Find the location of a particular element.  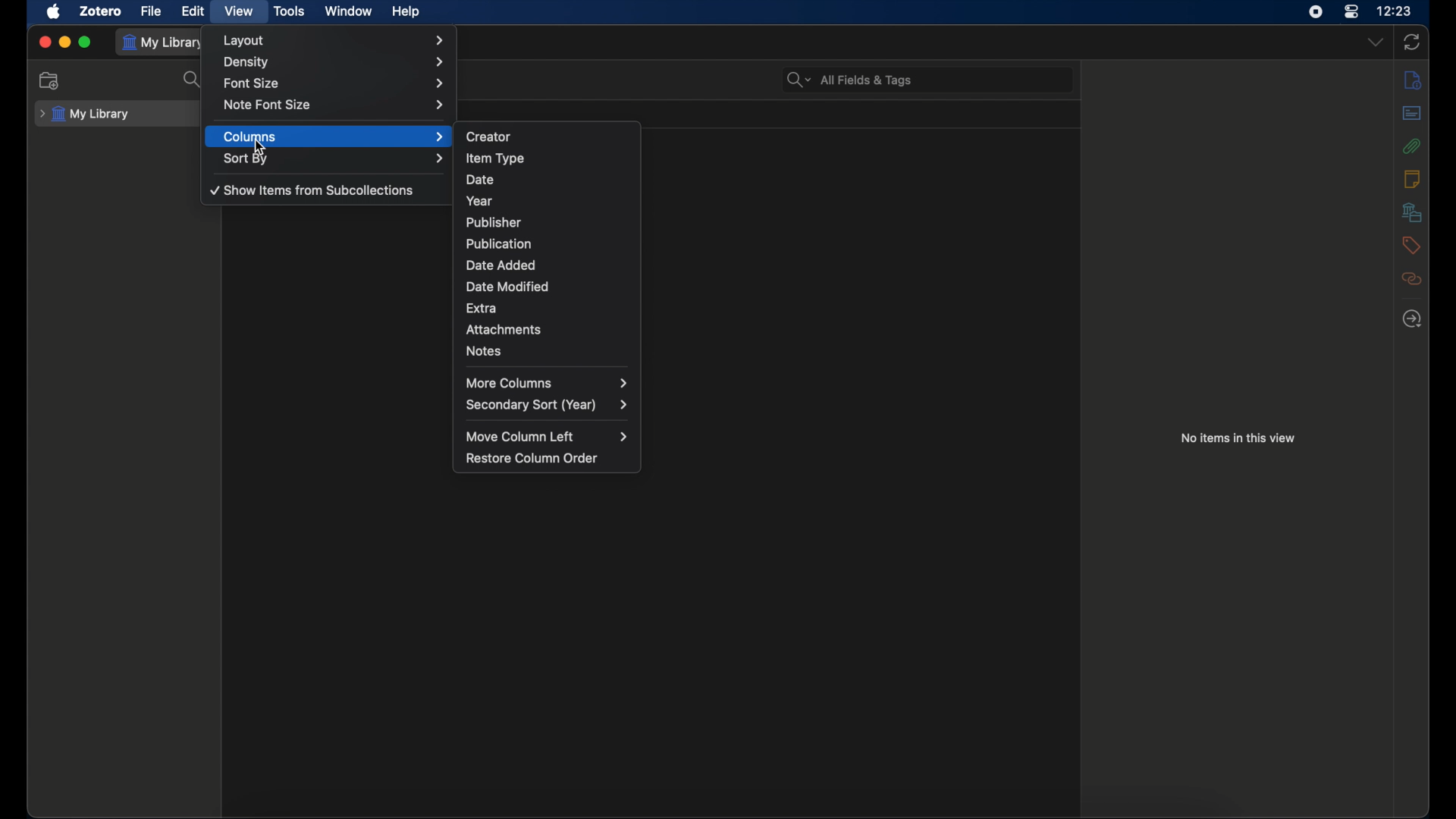

tools is located at coordinates (290, 11).